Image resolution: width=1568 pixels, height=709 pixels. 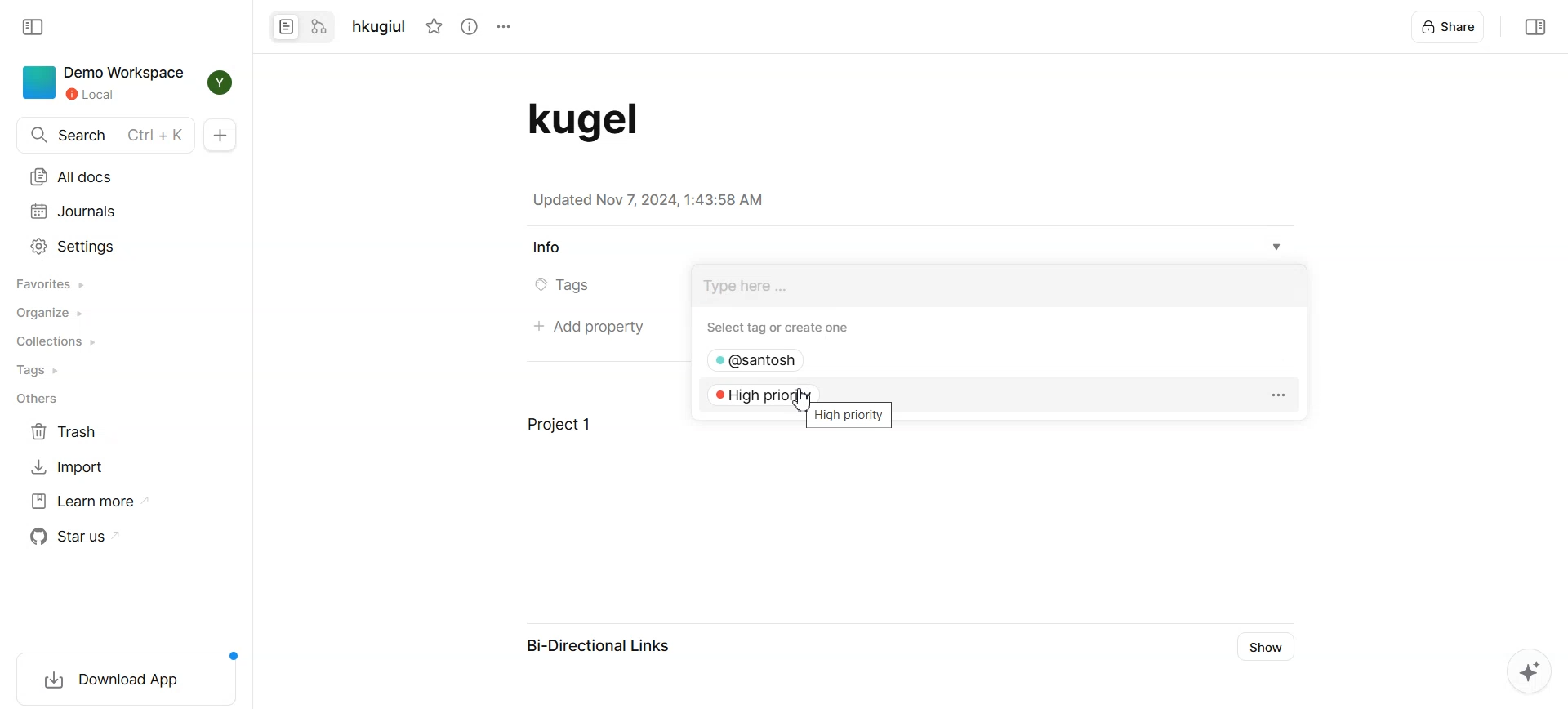 What do you see at coordinates (1535, 27) in the screenshot?
I see `Collapse sidebar` at bounding box center [1535, 27].